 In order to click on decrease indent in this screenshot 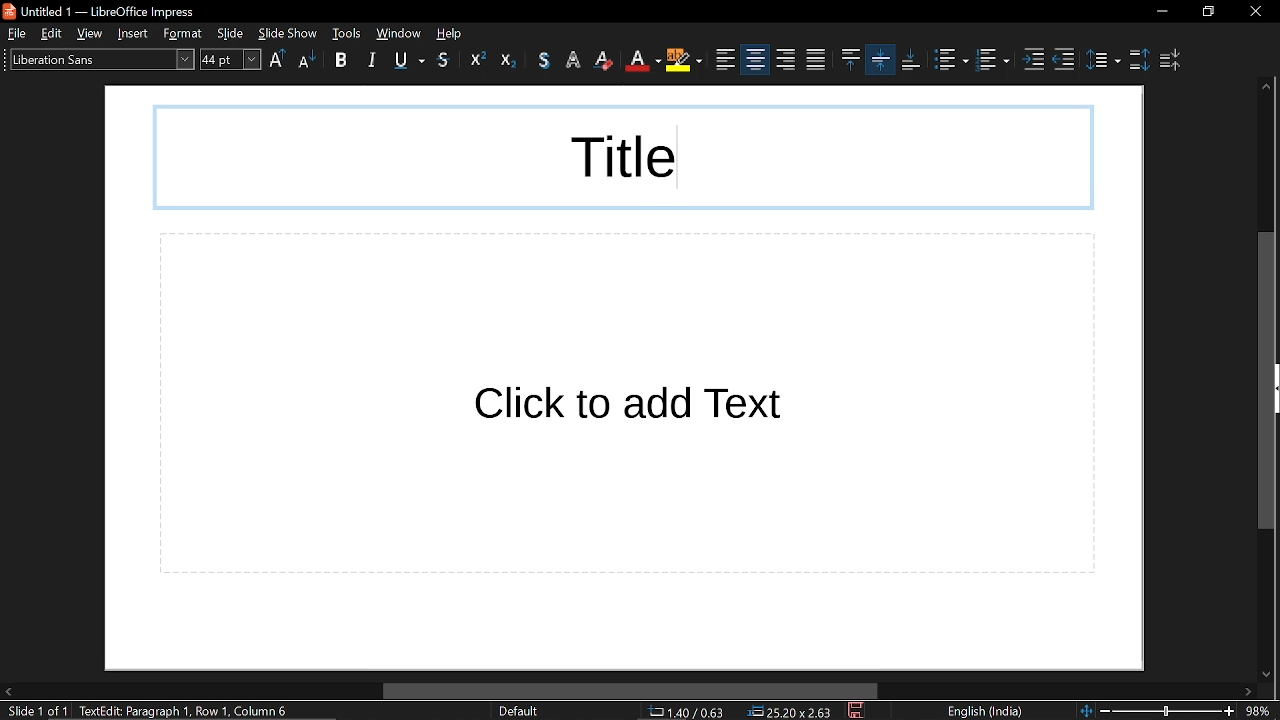, I will do `click(1064, 60)`.